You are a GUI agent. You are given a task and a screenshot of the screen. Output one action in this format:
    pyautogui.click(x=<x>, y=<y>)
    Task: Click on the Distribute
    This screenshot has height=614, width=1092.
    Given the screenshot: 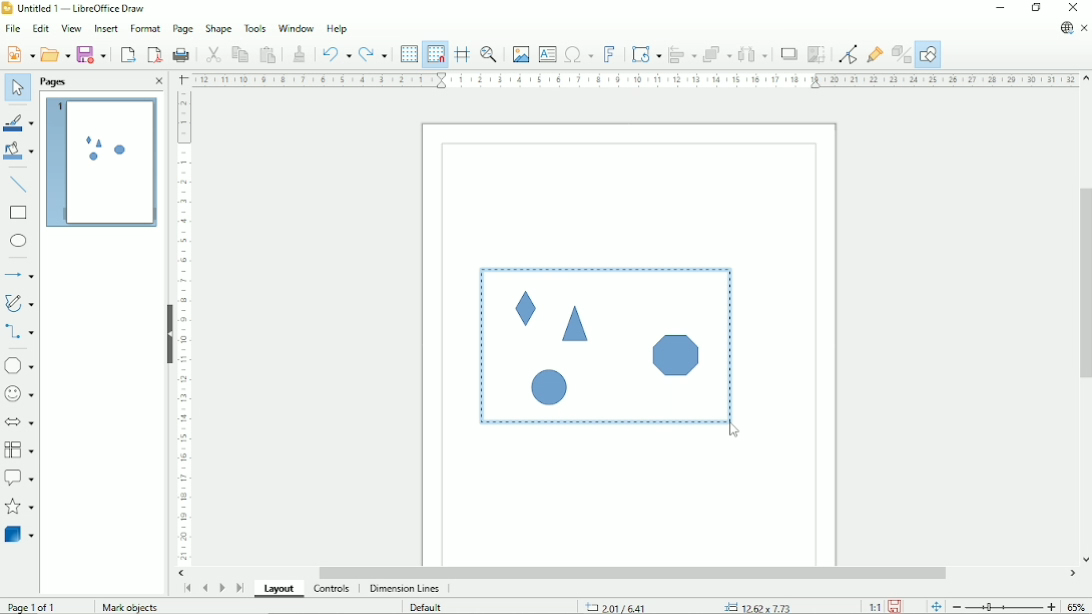 What is the action you would take?
    pyautogui.click(x=752, y=53)
    